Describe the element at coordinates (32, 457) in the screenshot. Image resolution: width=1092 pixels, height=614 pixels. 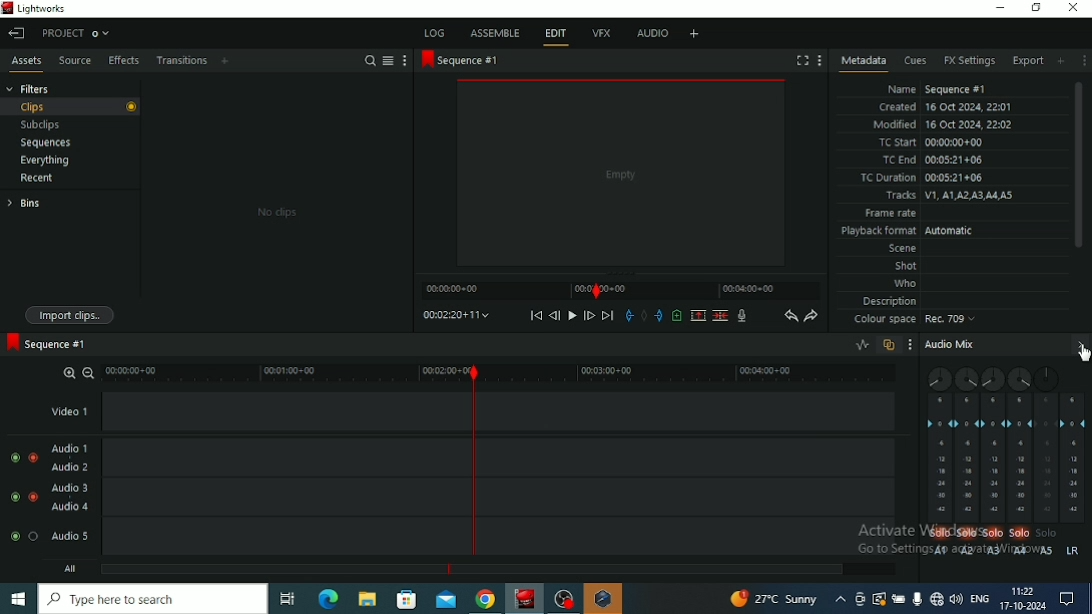
I see `Solo this track` at that location.